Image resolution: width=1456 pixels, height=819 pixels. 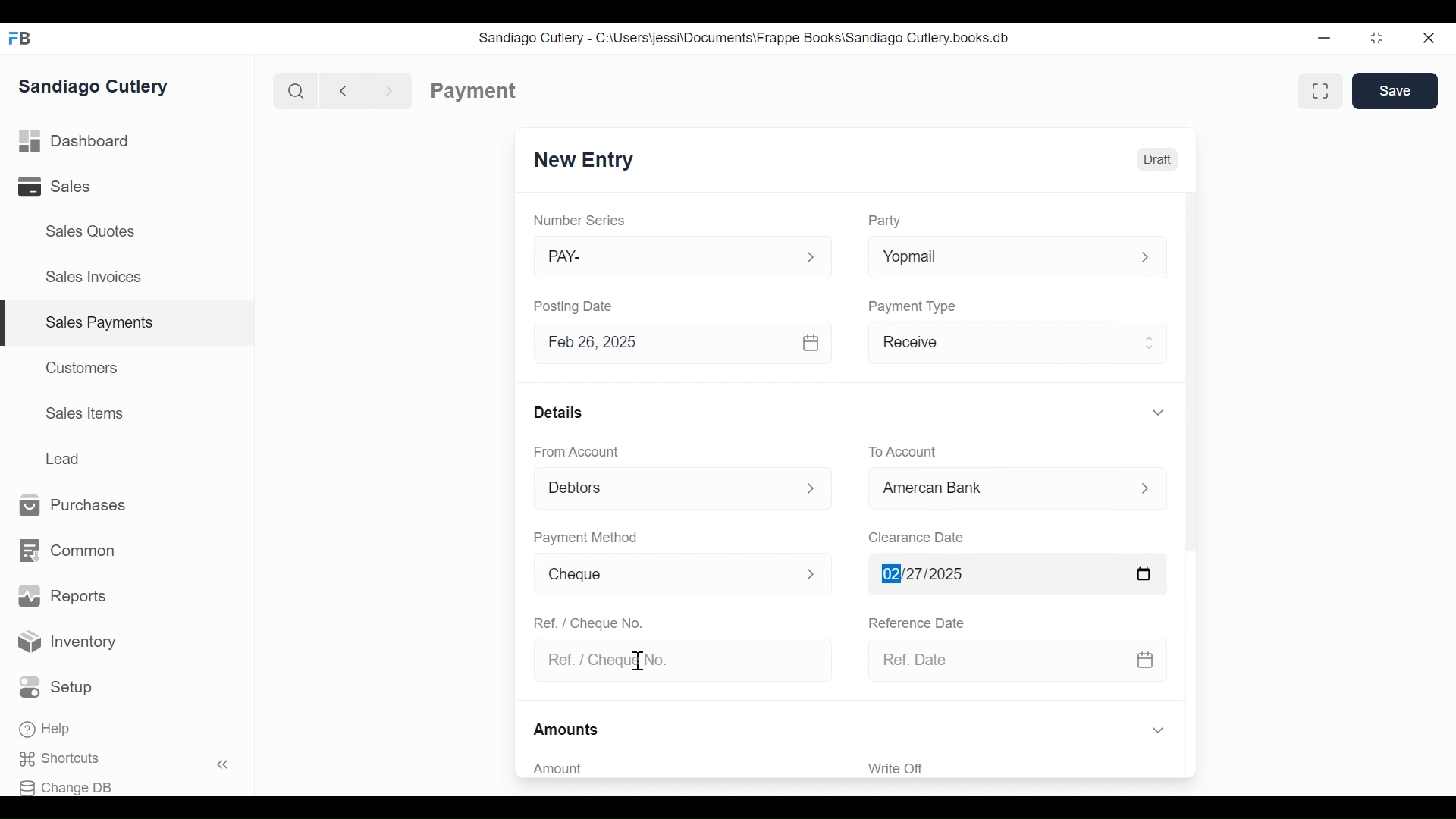 I want to click on Expand, so click(x=811, y=573).